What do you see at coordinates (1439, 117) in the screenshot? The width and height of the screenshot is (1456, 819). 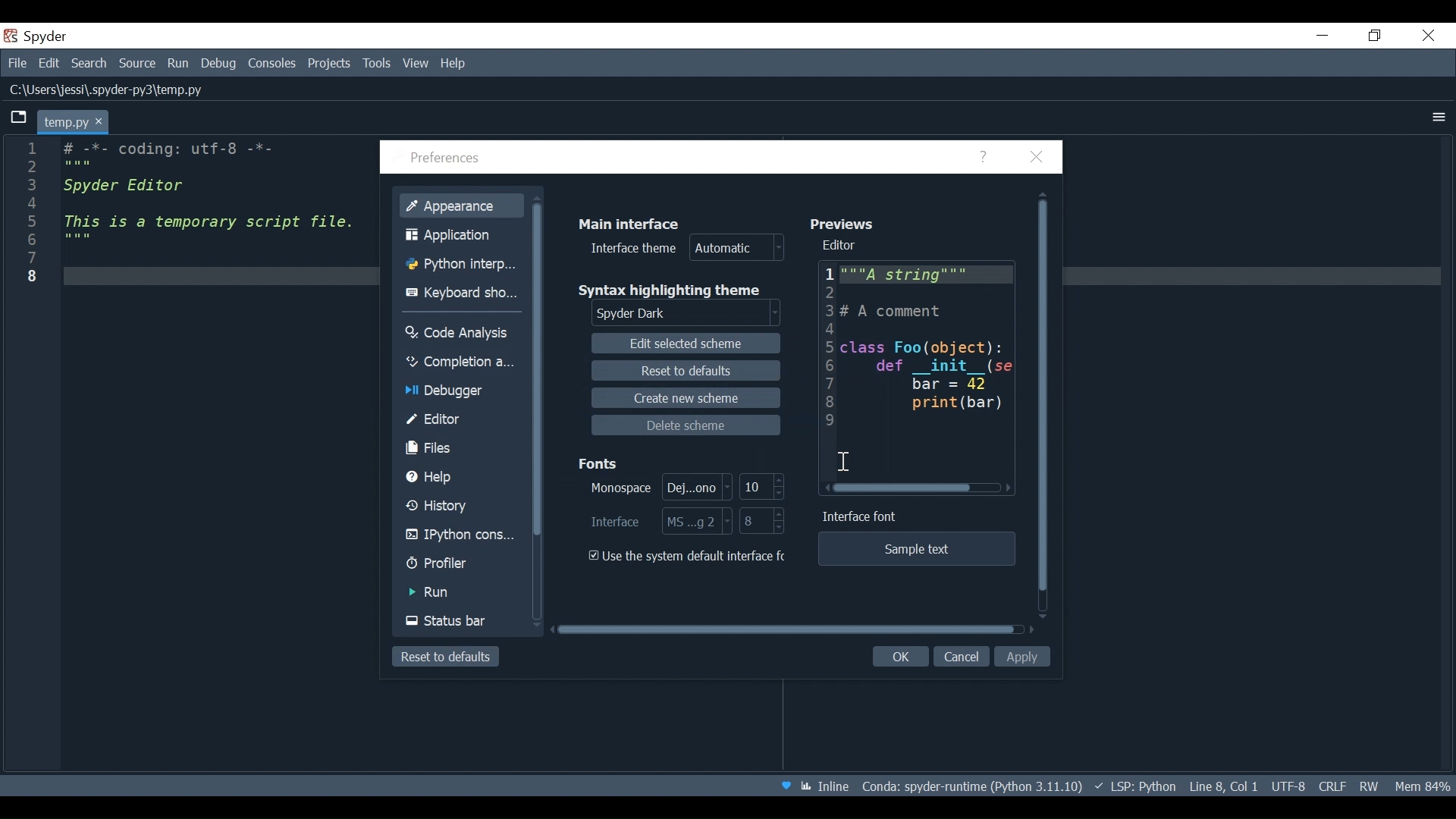 I see `More Options` at bounding box center [1439, 117].